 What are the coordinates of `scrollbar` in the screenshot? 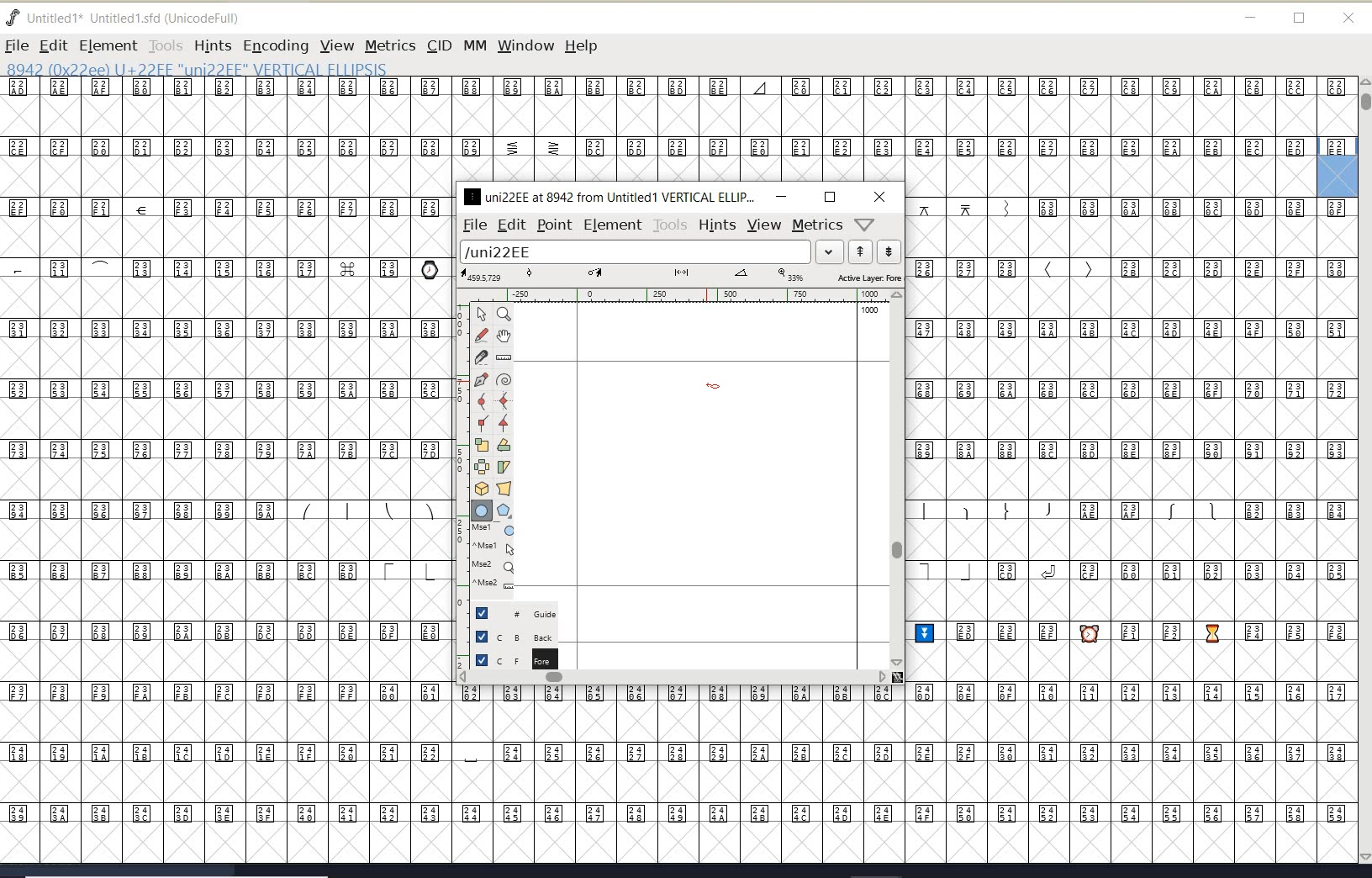 It's located at (673, 679).